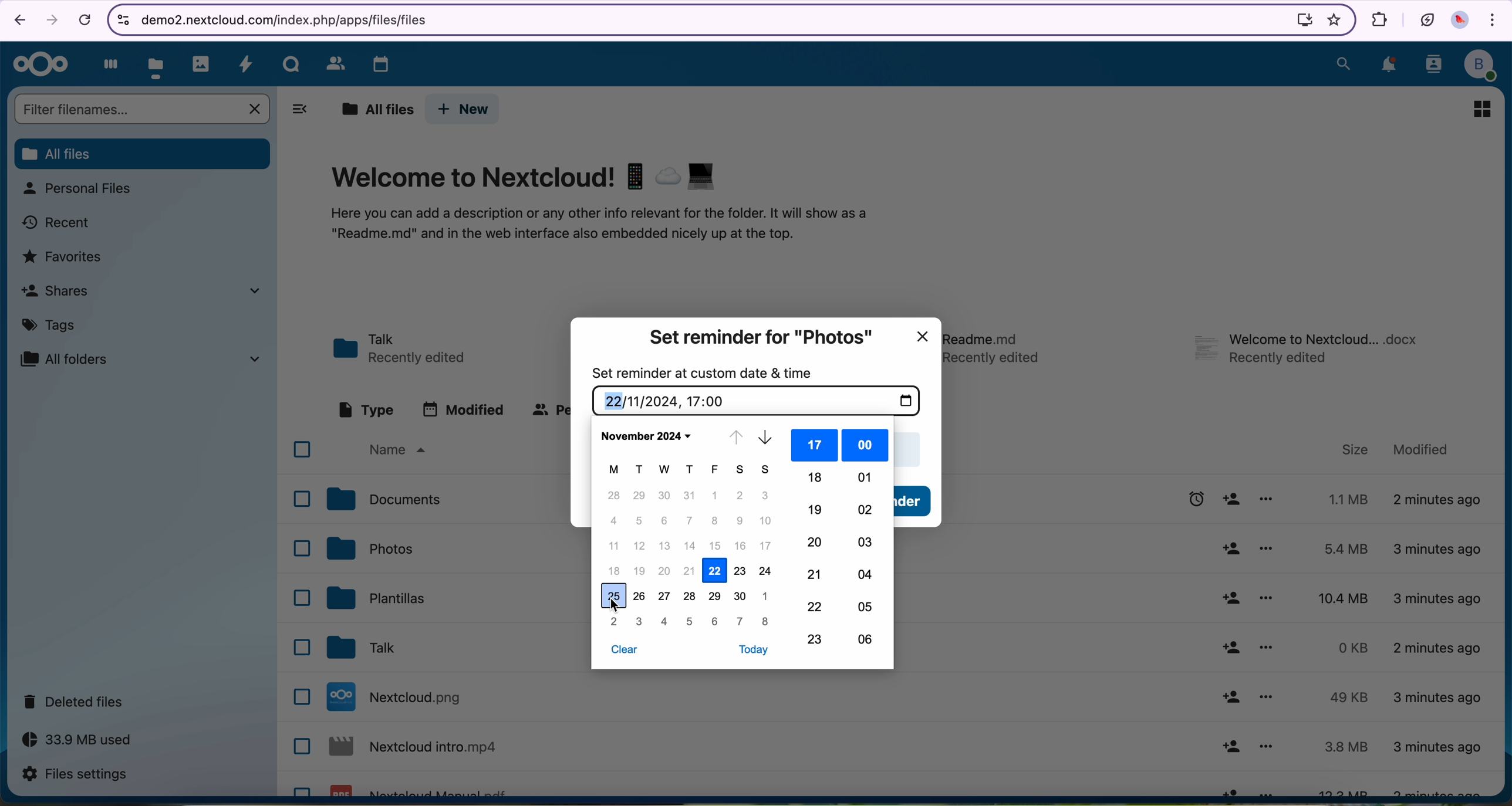 This screenshot has height=806, width=1512. Describe the element at coordinates (925, 335) in the screenshot. I see `close popup` at that location.